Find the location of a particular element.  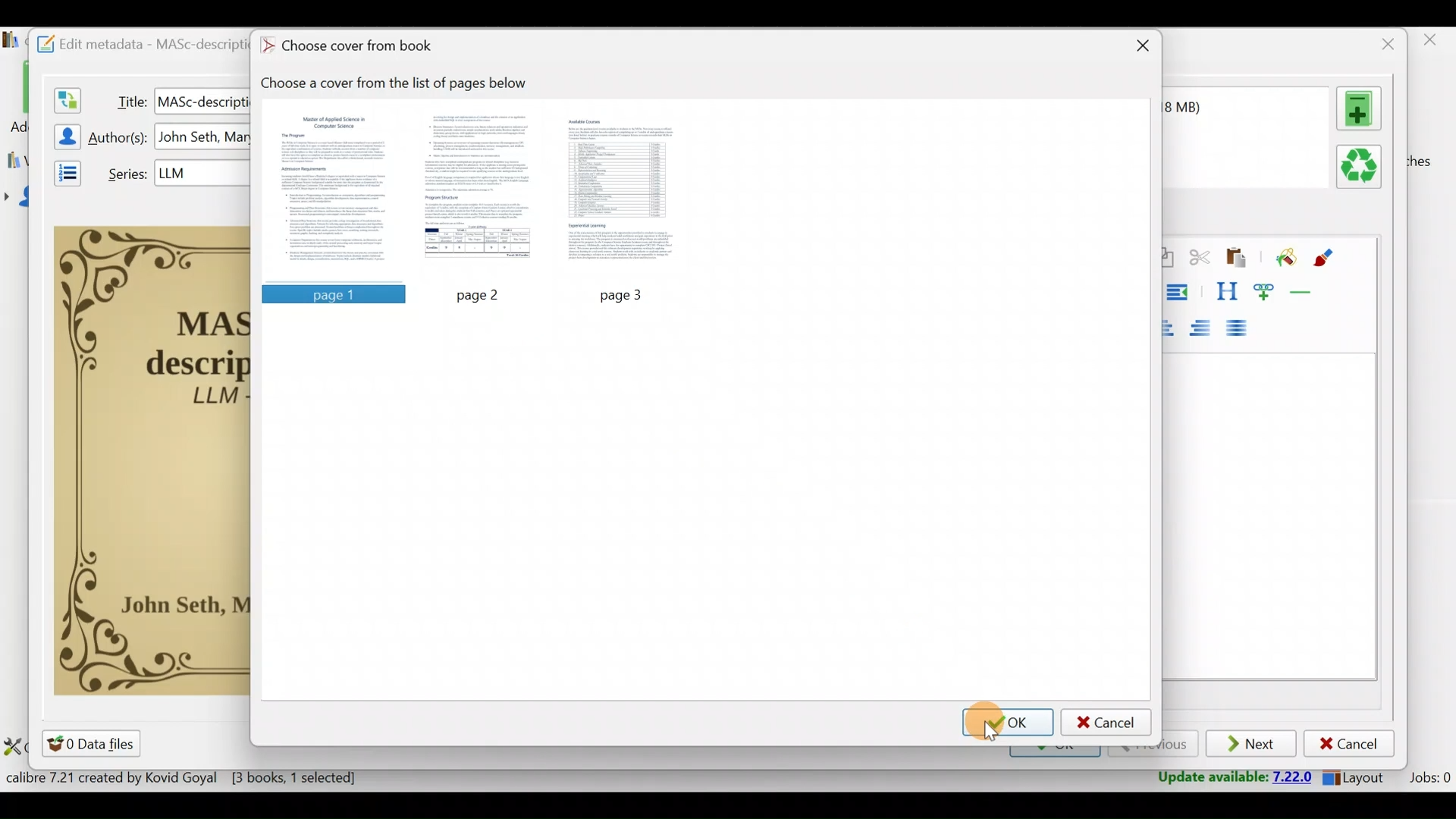

 is located at coordinates (482, 294).